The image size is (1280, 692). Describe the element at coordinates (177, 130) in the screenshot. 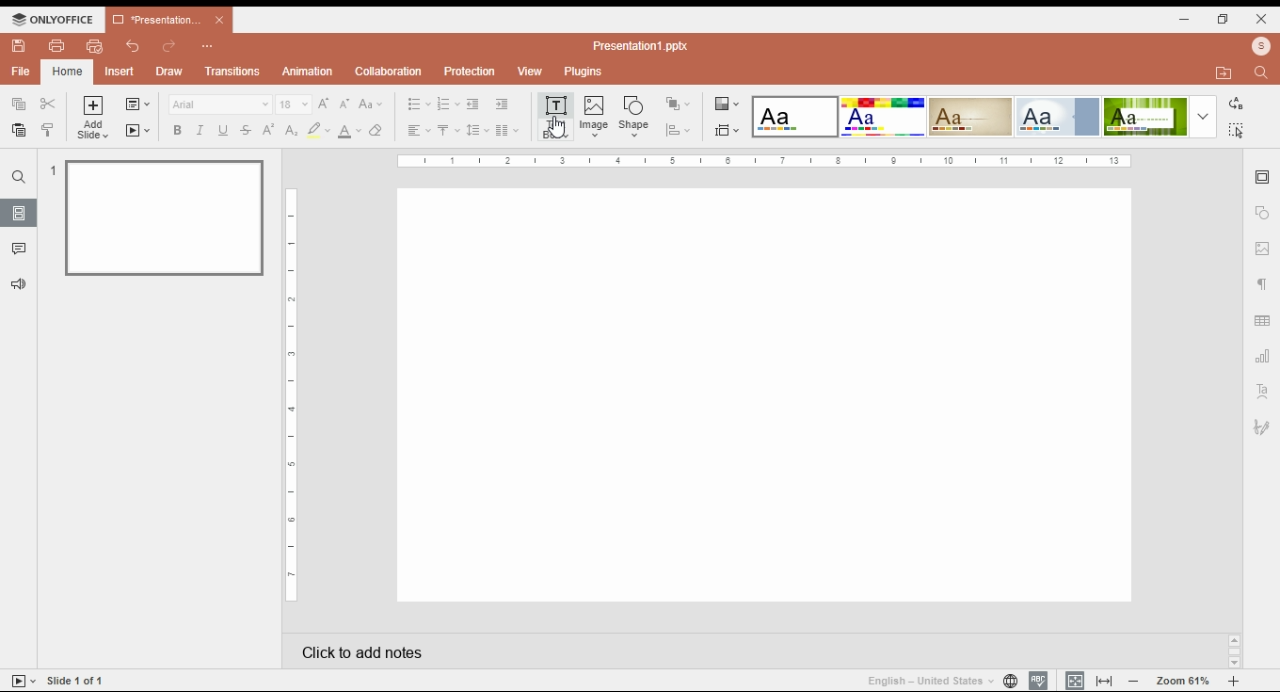

I see `bold` at that location.